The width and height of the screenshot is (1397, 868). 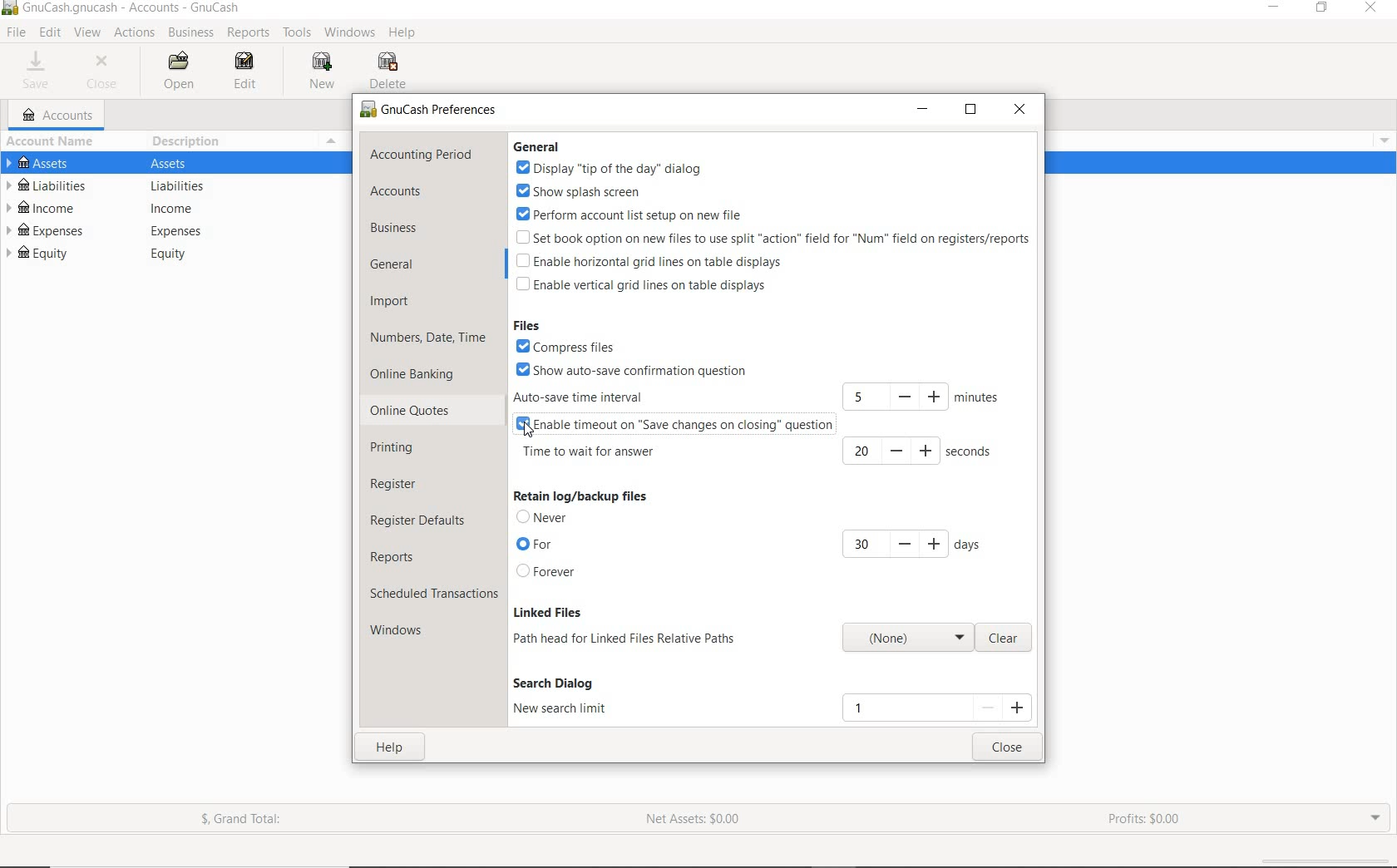 I want to click on IMPORT, so click(x=390, y=300).